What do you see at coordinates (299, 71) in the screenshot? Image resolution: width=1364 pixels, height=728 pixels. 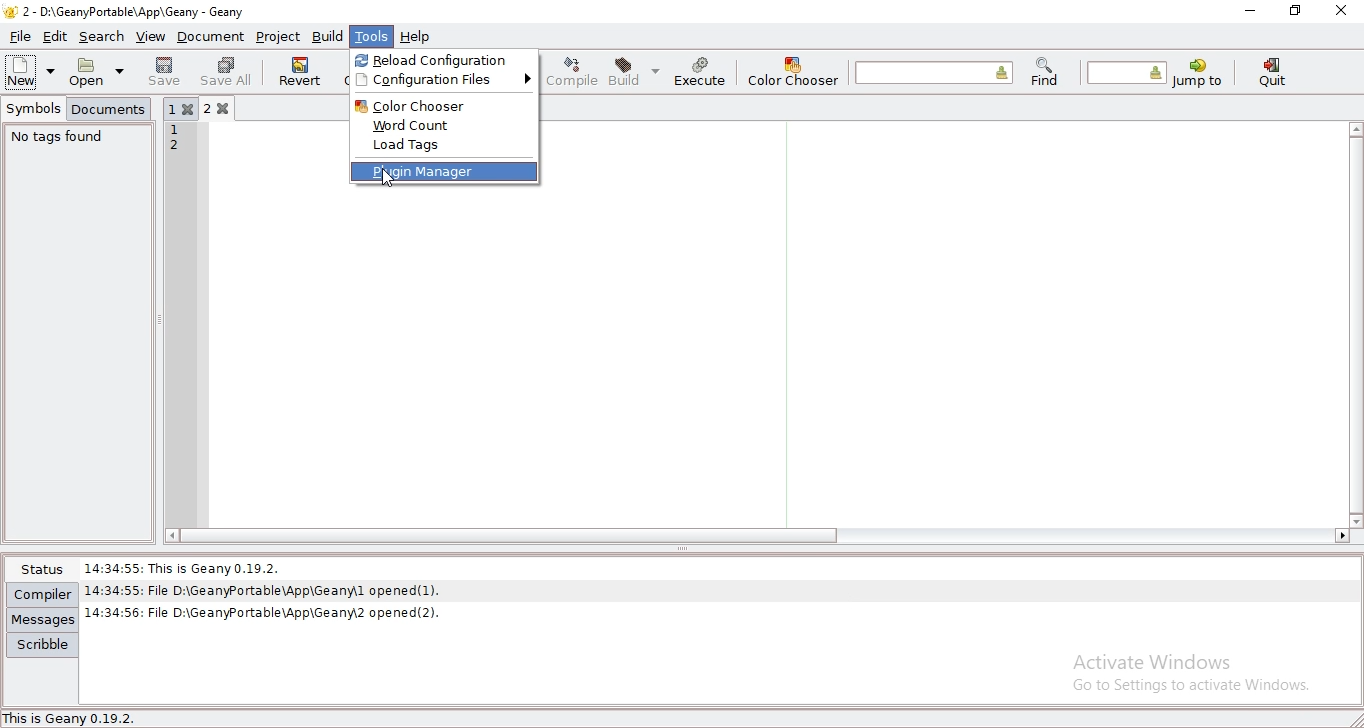 I see `revert` at bounding box center [299, 71].